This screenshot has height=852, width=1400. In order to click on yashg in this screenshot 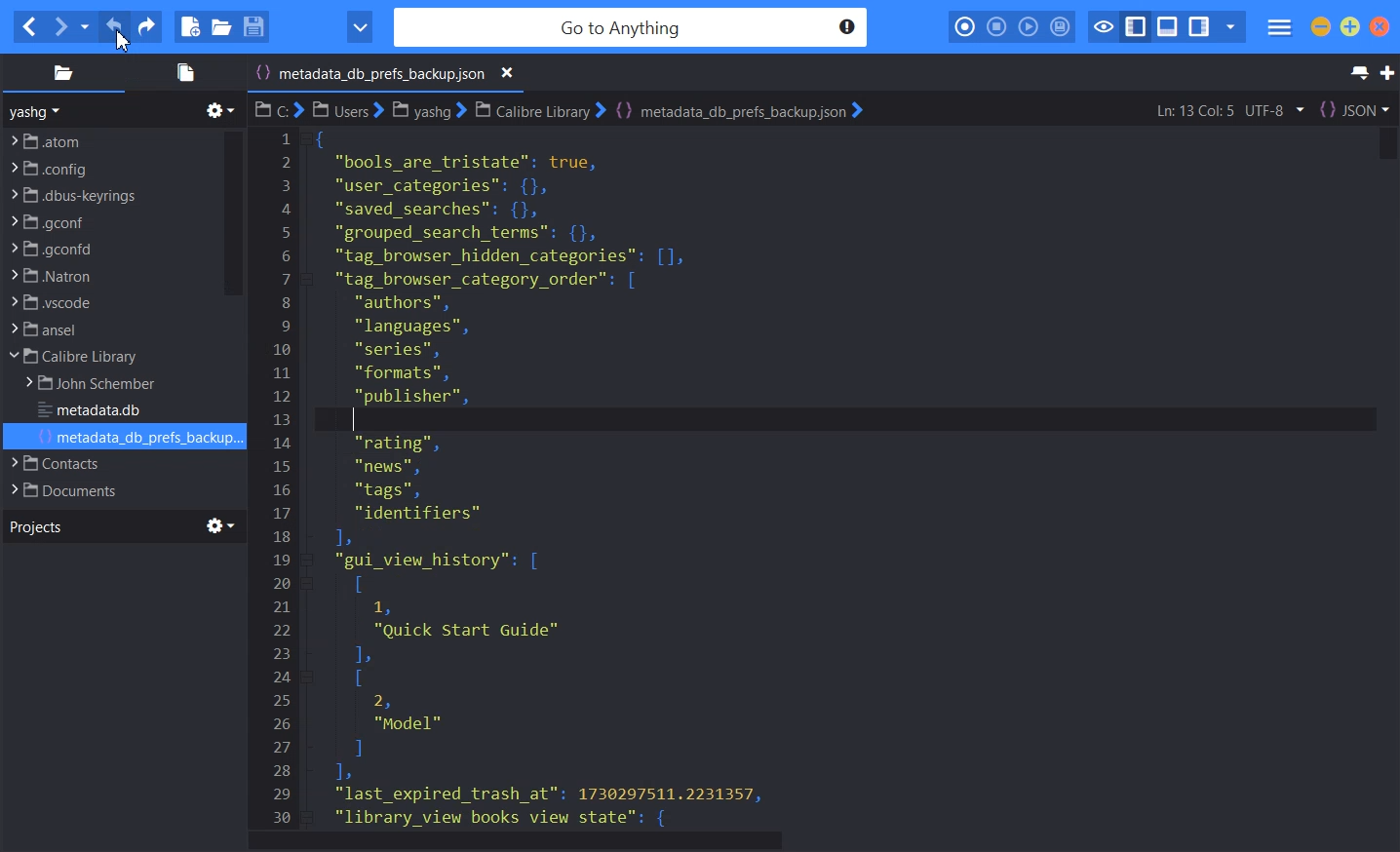, I will do `click(38, 111)`.